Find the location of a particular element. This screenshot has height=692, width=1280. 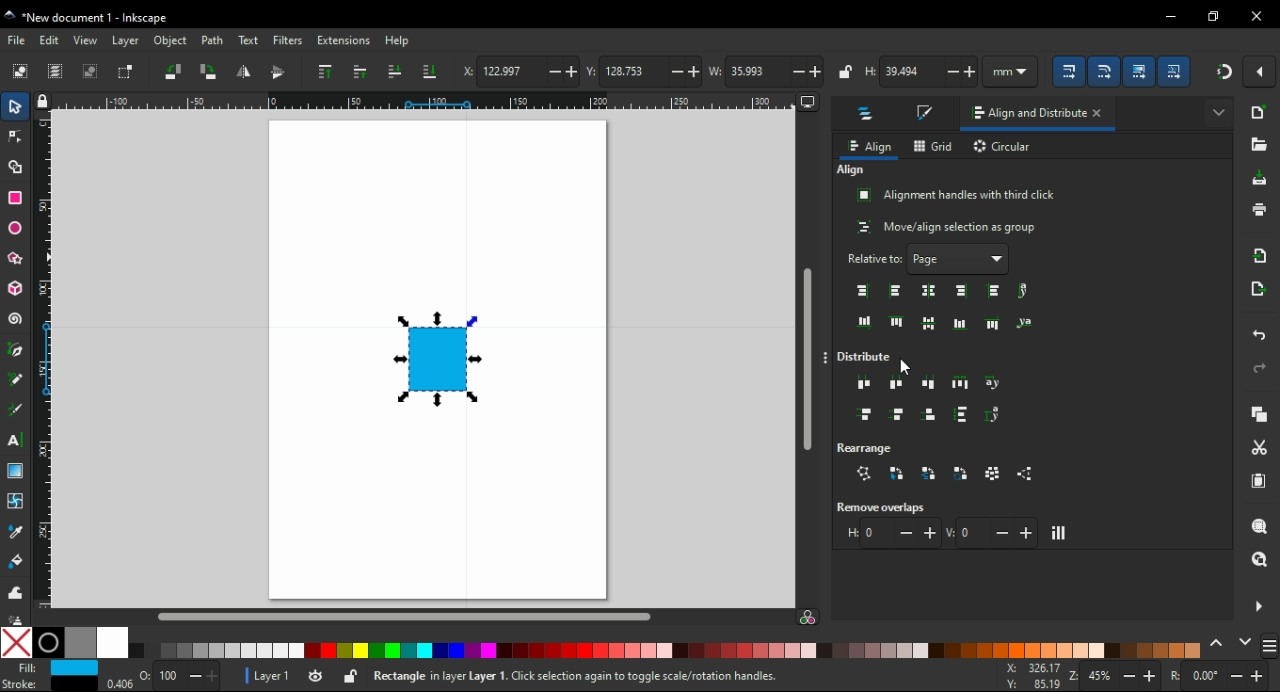

width of selection is located at coordinates (766, 71).